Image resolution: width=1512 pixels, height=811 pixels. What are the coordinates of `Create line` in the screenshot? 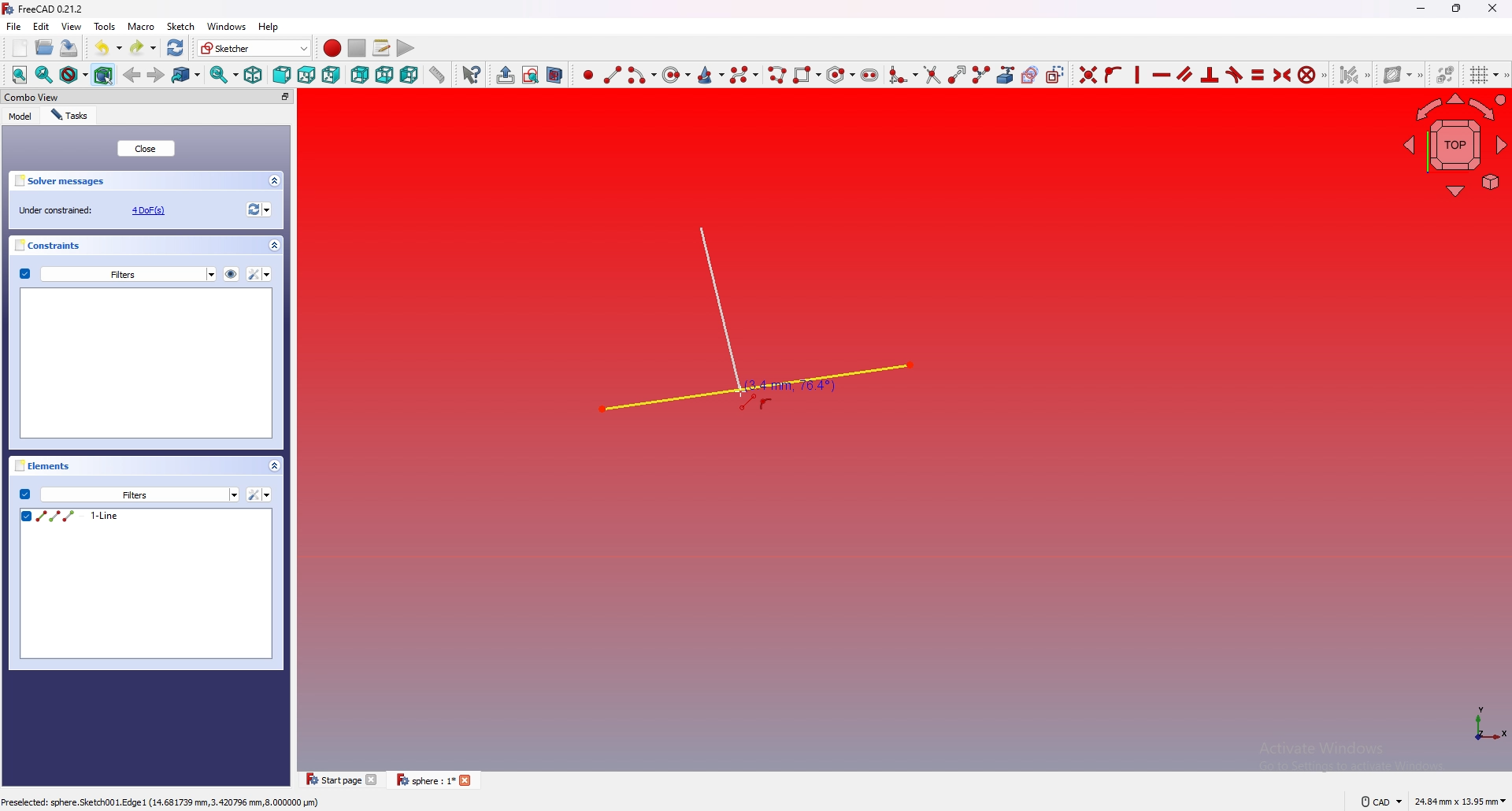 It's located at (613, 74).